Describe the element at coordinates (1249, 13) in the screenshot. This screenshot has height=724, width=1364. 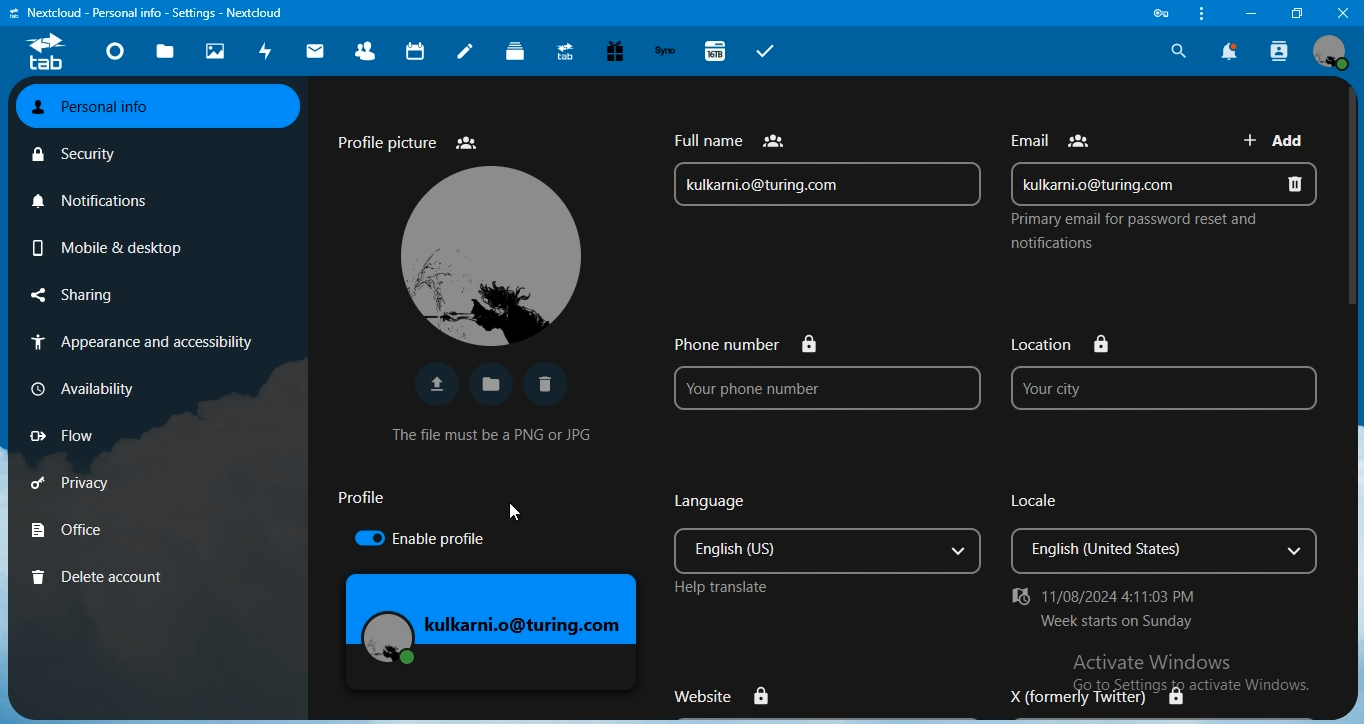
I see `minimize` at that location.